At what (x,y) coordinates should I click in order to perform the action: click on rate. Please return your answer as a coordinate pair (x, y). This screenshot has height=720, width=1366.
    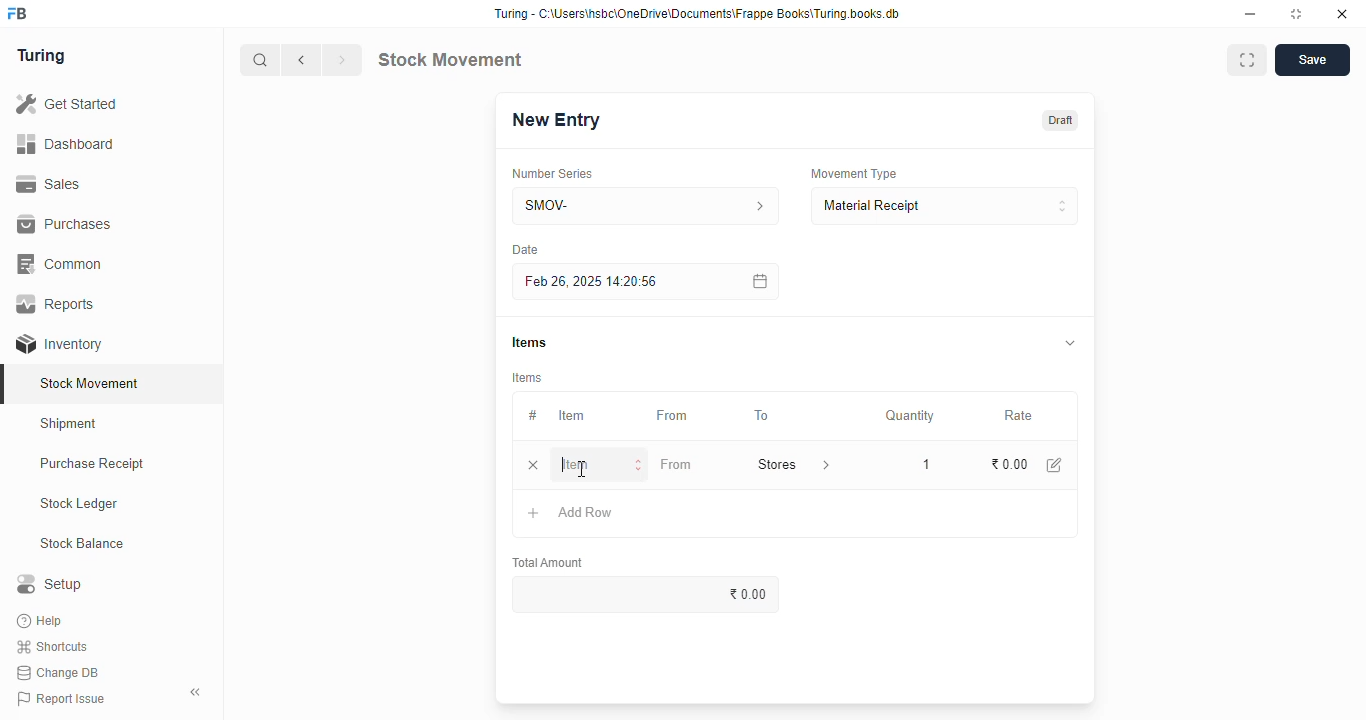
    Looking at the image, I should click on (1019, 416).